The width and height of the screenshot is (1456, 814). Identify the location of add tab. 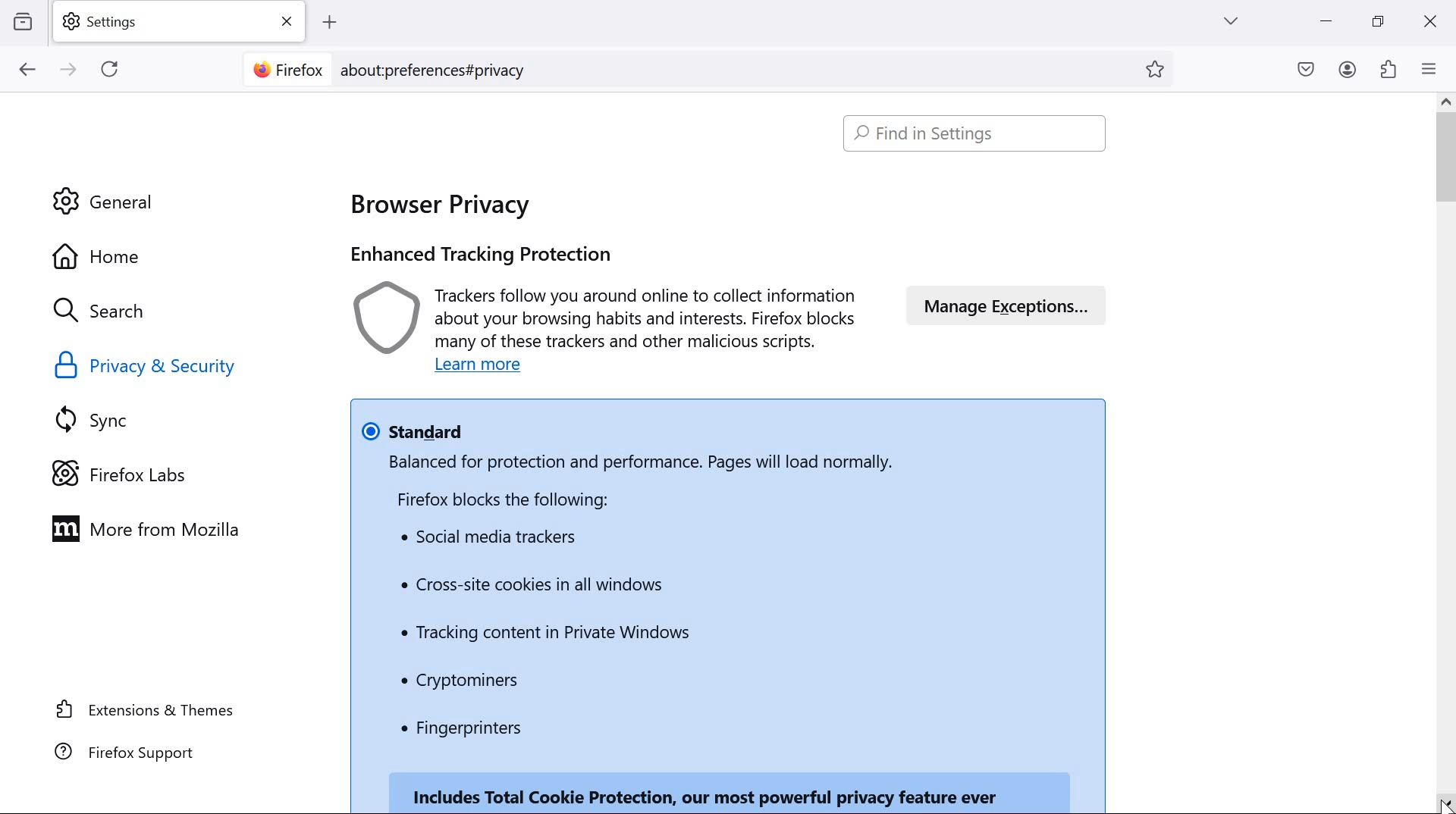
(329, 23).